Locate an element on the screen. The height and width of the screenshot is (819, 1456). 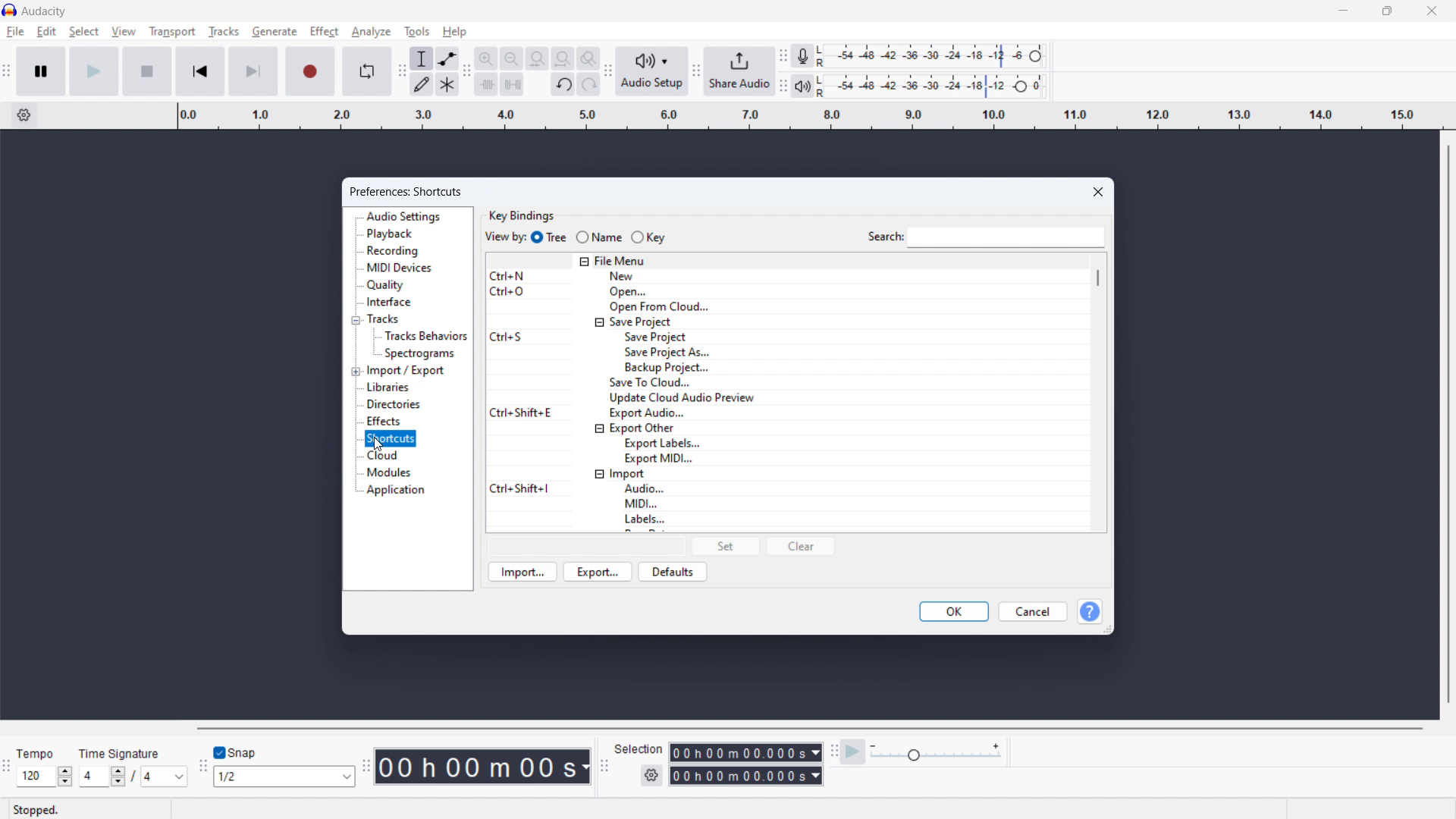
collapse is located at coordinates (598, 323).